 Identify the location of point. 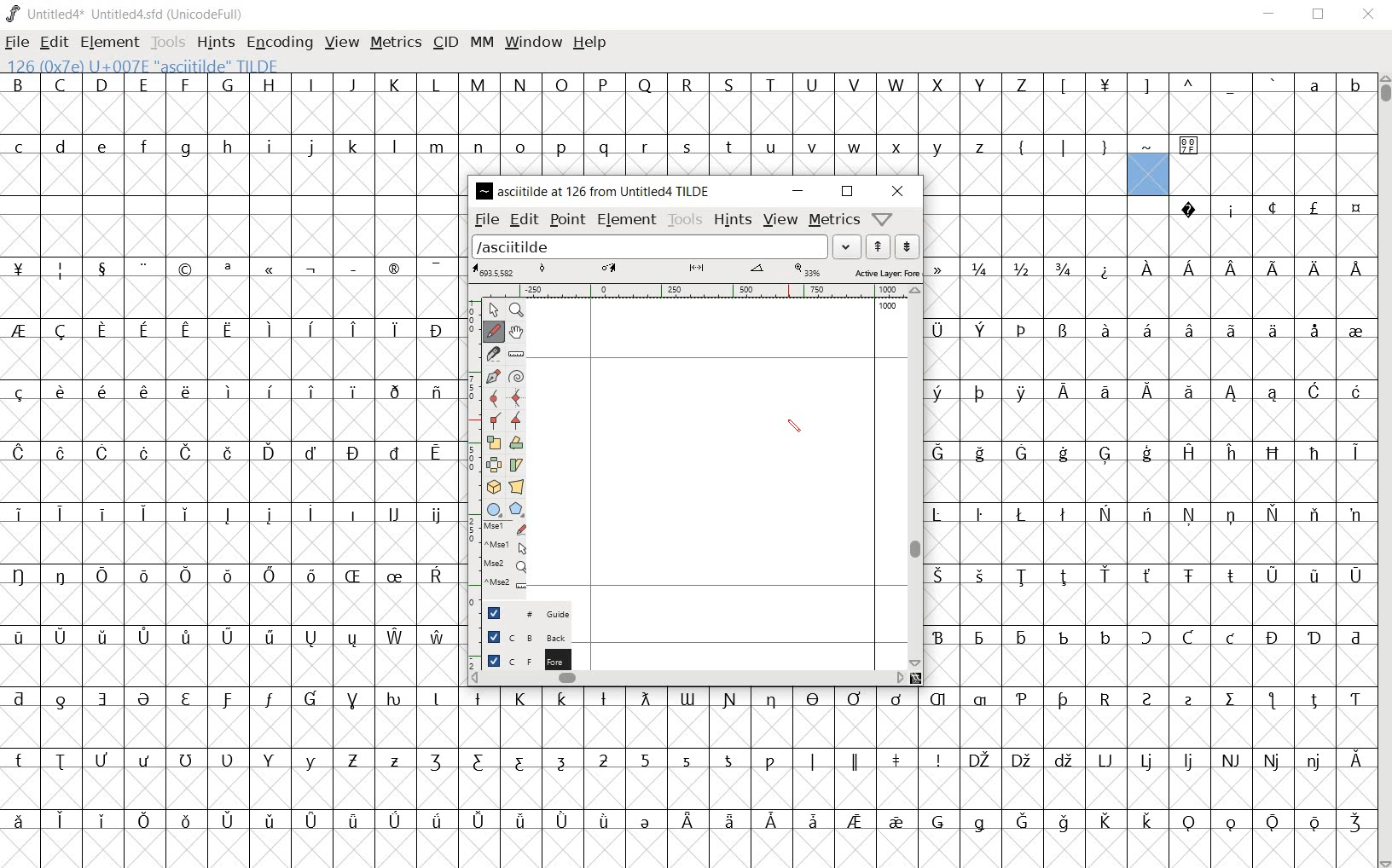
(568, 220).